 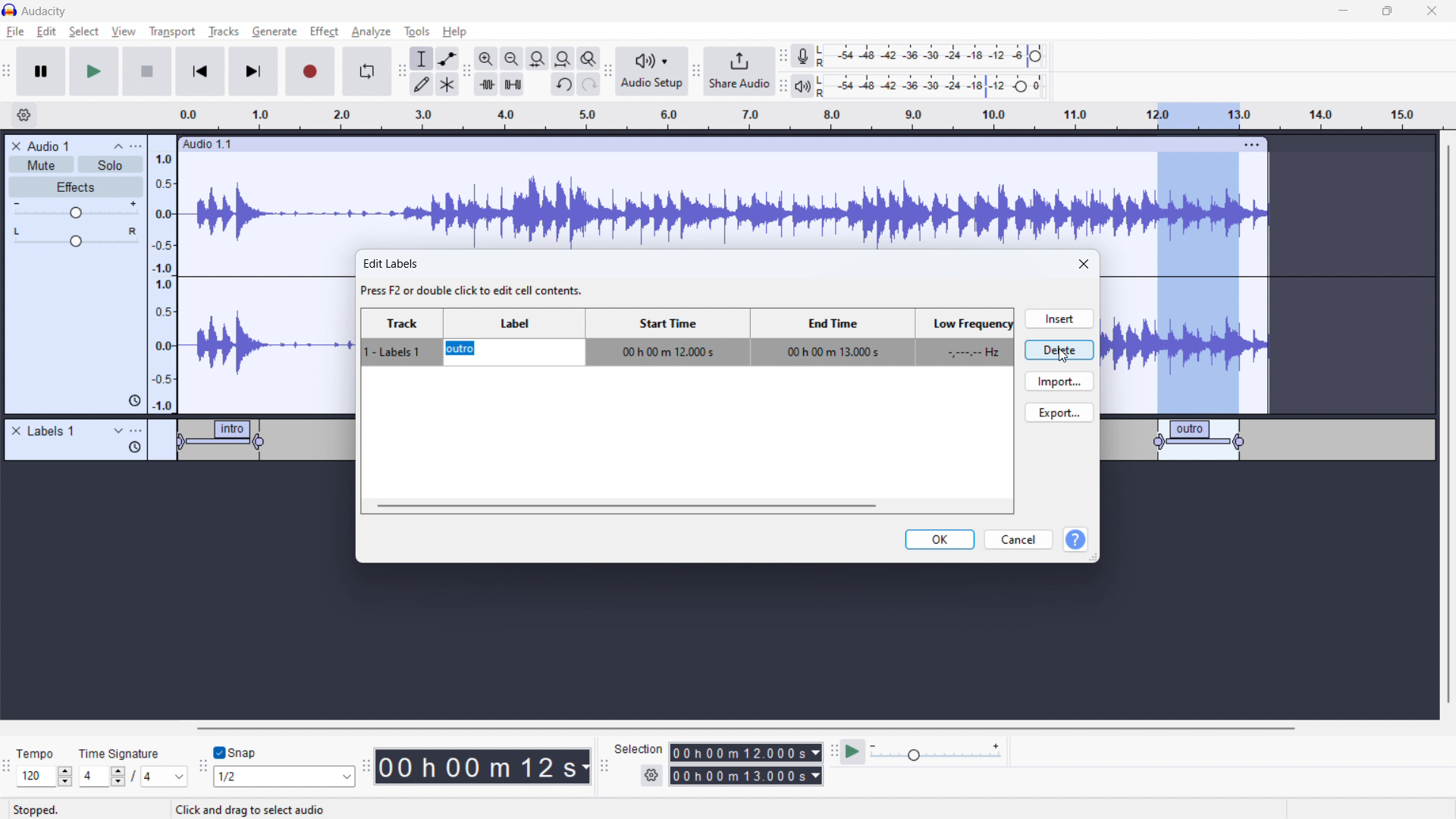 What do you see at coordinates (124, 31) in the screenshot?
I see `view` at bounding box center [124, 31].